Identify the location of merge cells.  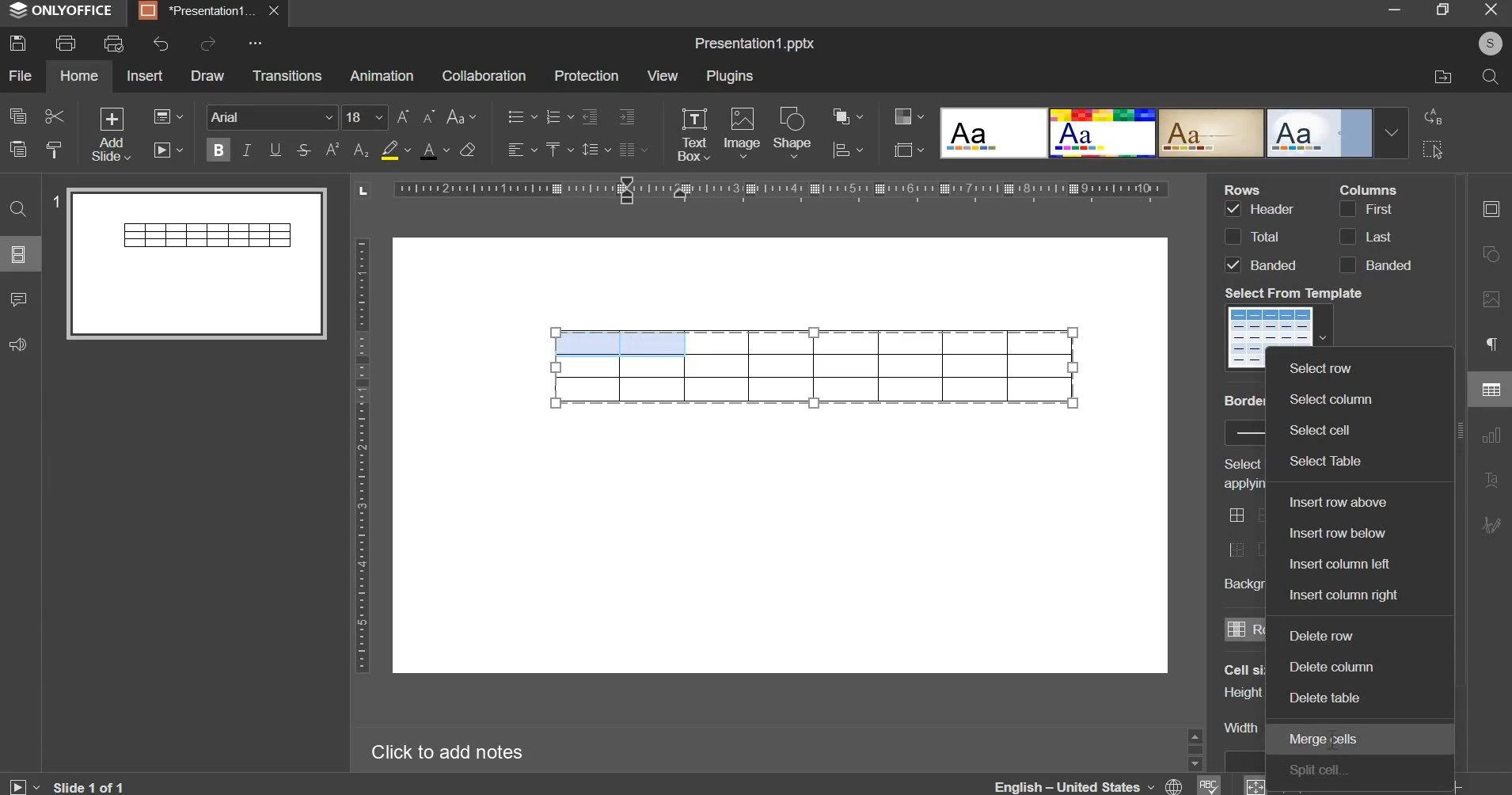
(1324, 739).